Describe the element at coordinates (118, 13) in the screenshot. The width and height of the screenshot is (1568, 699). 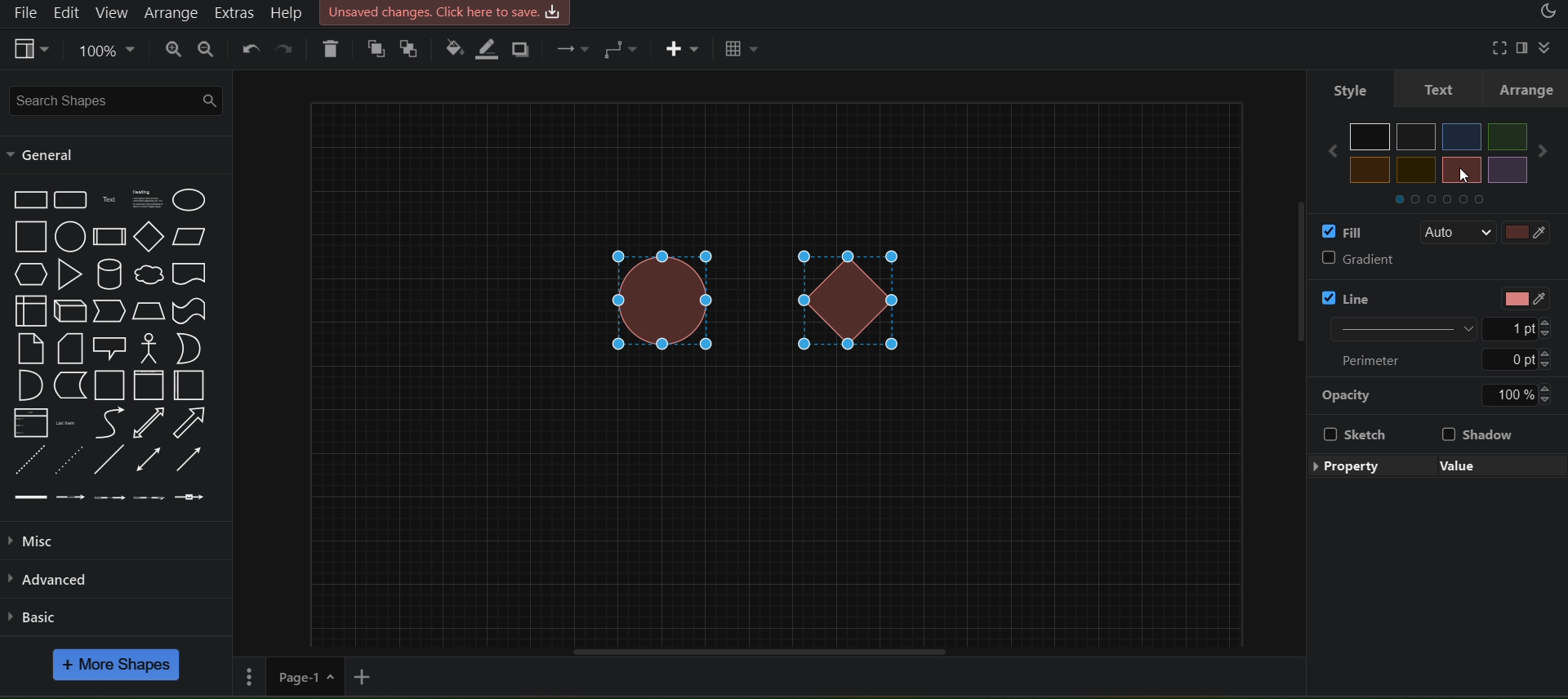
I see `view` at that location.